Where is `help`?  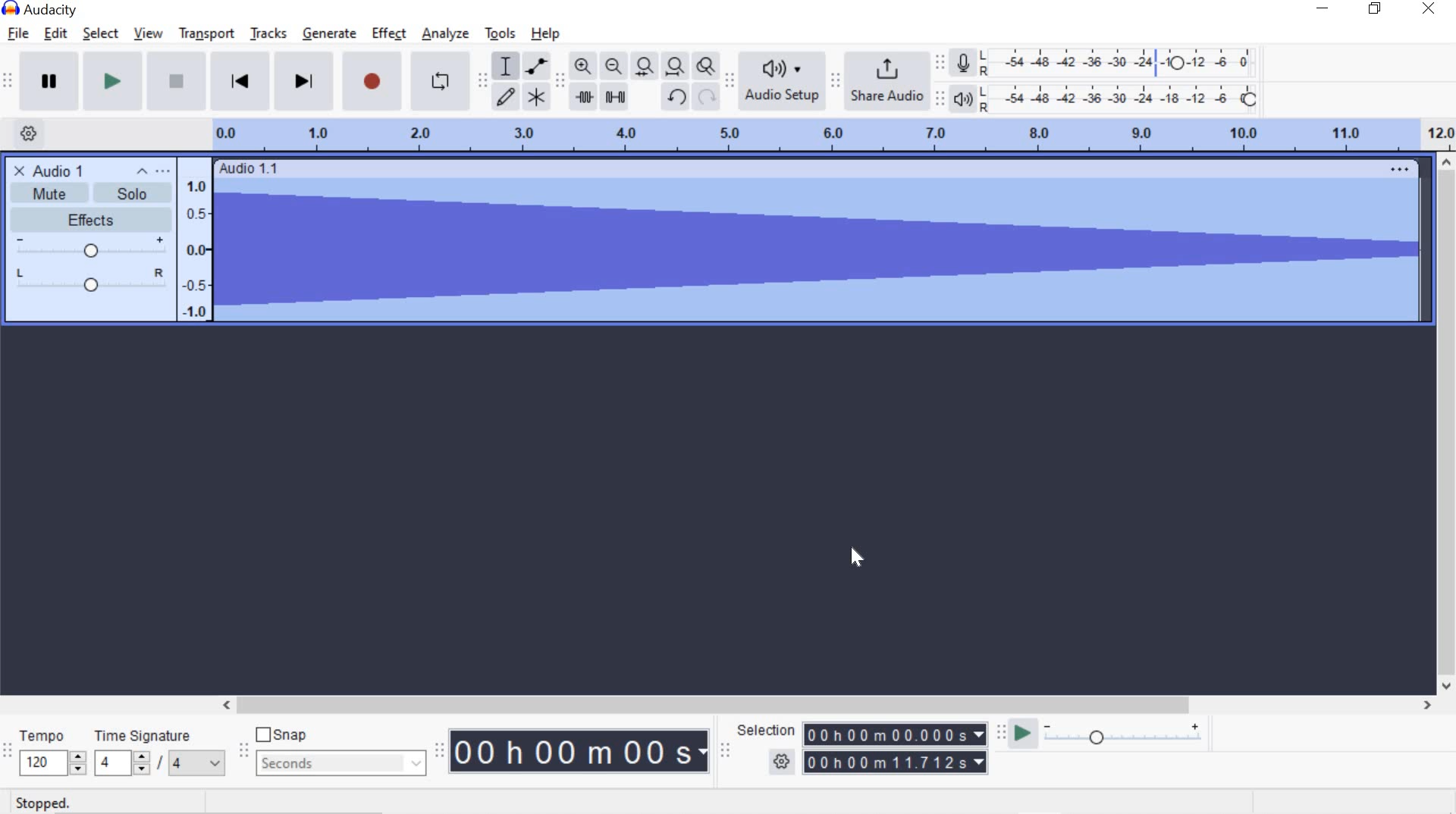
help is located at coordinates (546, 33).